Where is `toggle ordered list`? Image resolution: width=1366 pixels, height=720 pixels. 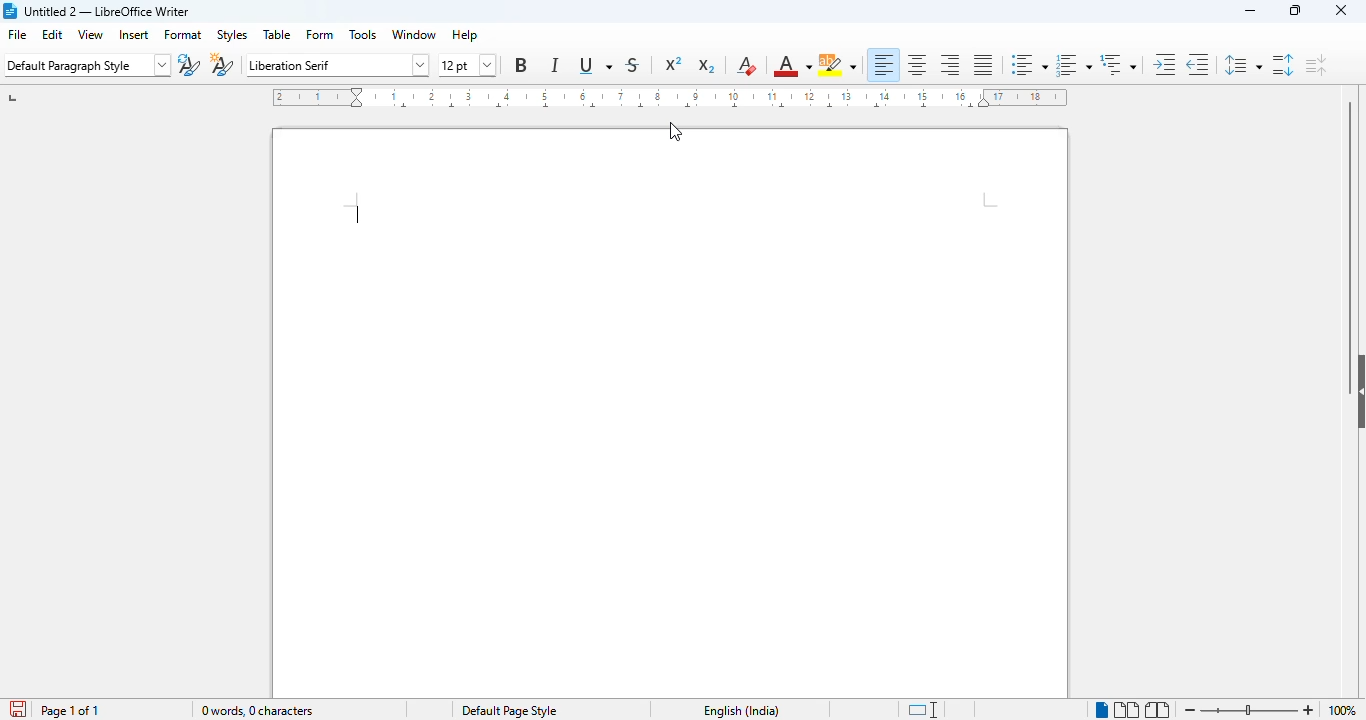 toggle ordered list is located at coordinates (1072, 65).